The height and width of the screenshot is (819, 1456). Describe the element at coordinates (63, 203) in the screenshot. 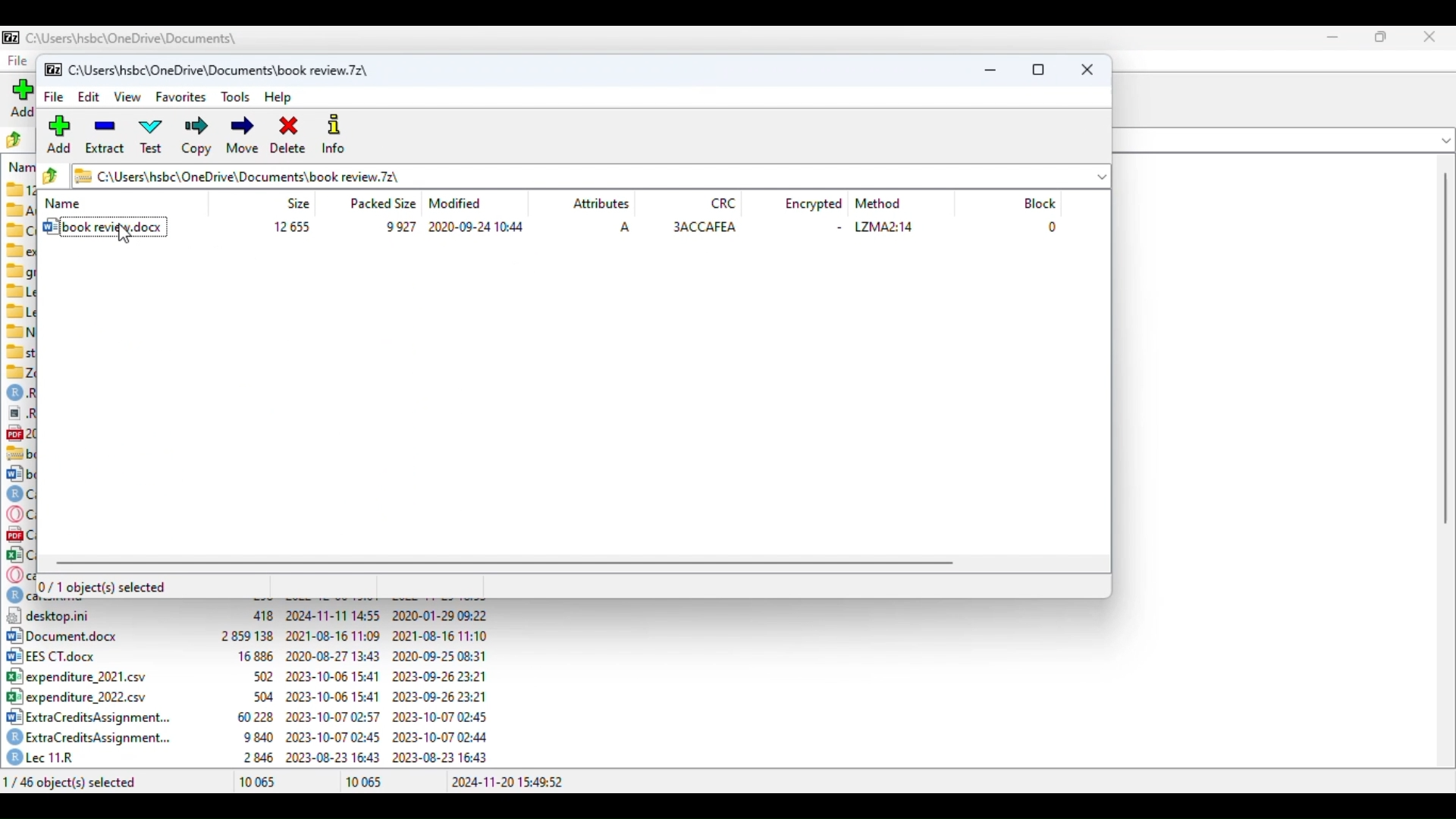

I see `name` at that location.